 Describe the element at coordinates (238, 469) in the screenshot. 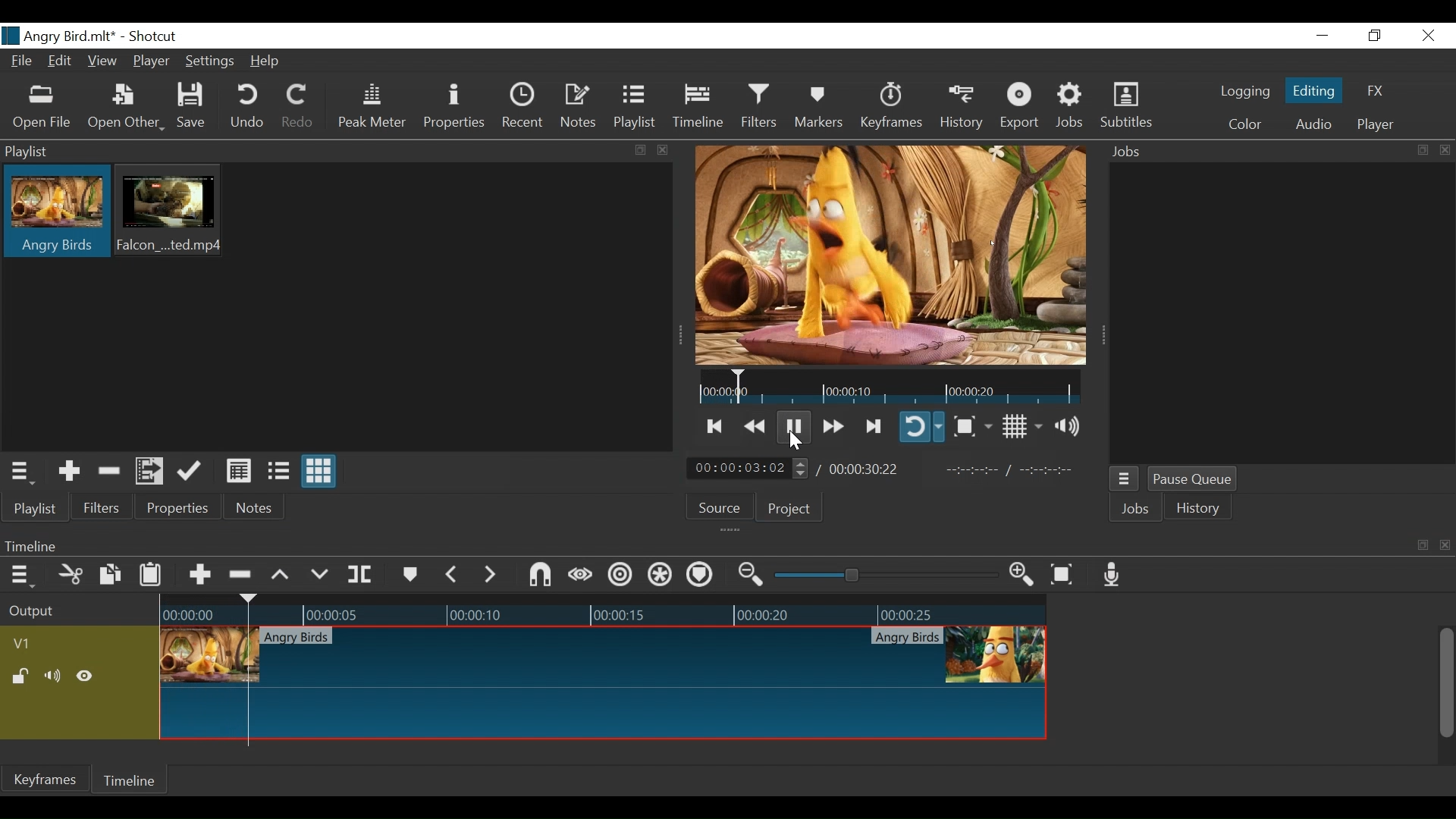

I see `View as Detail` at that location.